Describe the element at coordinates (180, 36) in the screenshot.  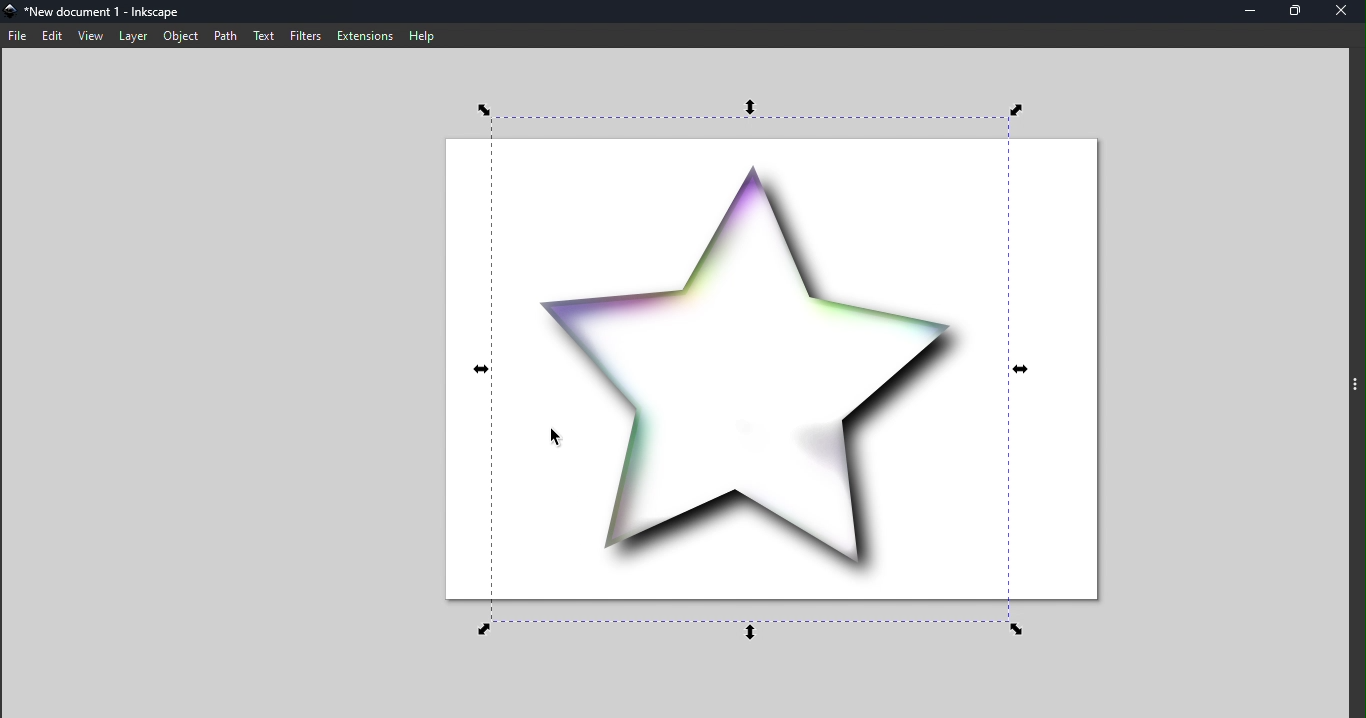
I see `Object` at that location.